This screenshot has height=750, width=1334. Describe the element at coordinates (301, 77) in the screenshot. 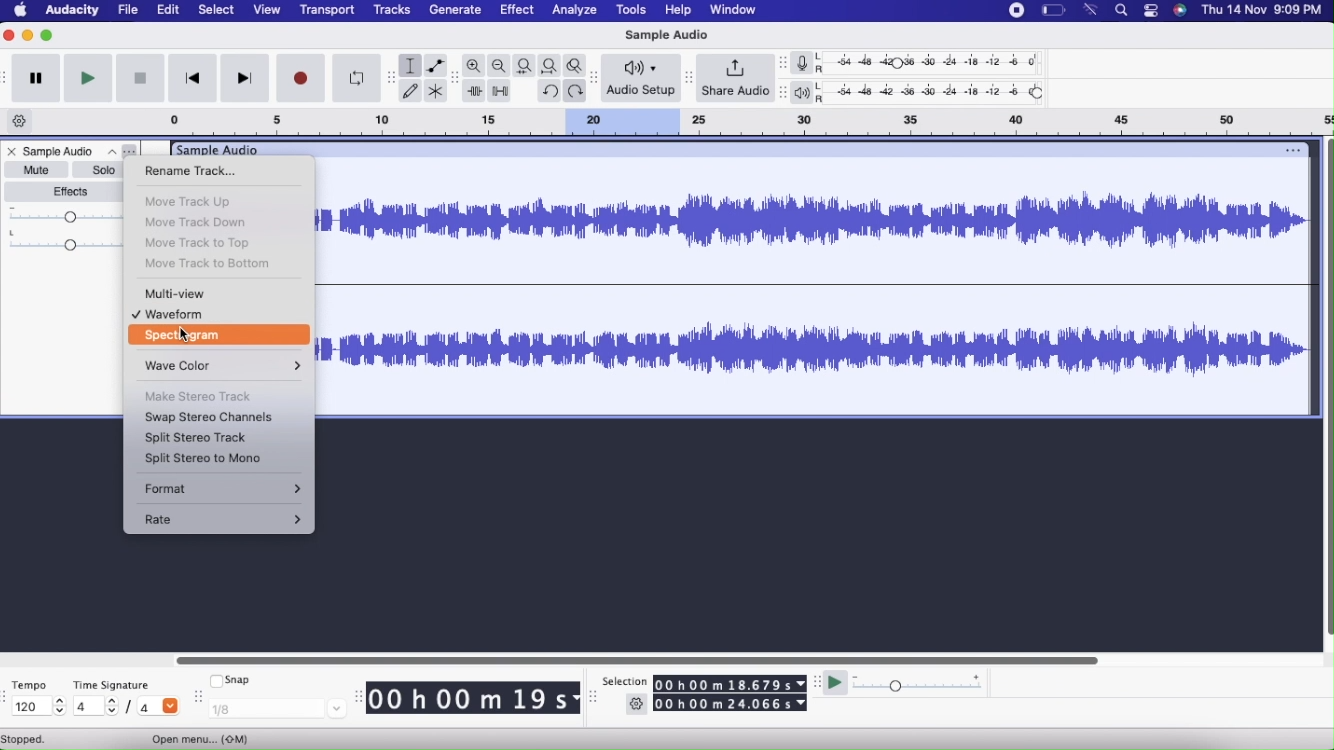

I see `Record` at that location.